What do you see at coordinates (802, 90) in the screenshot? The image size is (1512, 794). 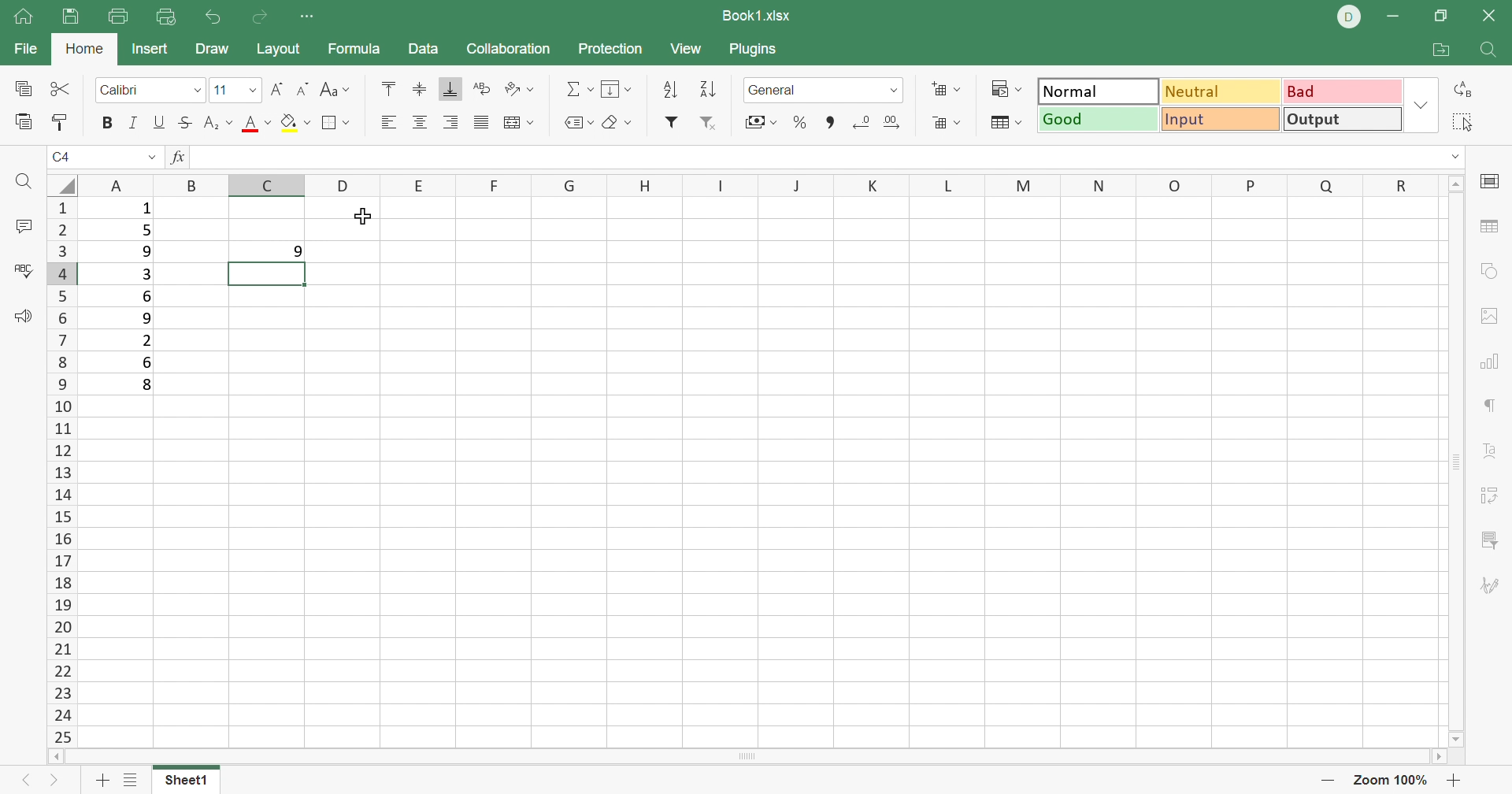 I see `Number format` at bounding box center [802, 90].